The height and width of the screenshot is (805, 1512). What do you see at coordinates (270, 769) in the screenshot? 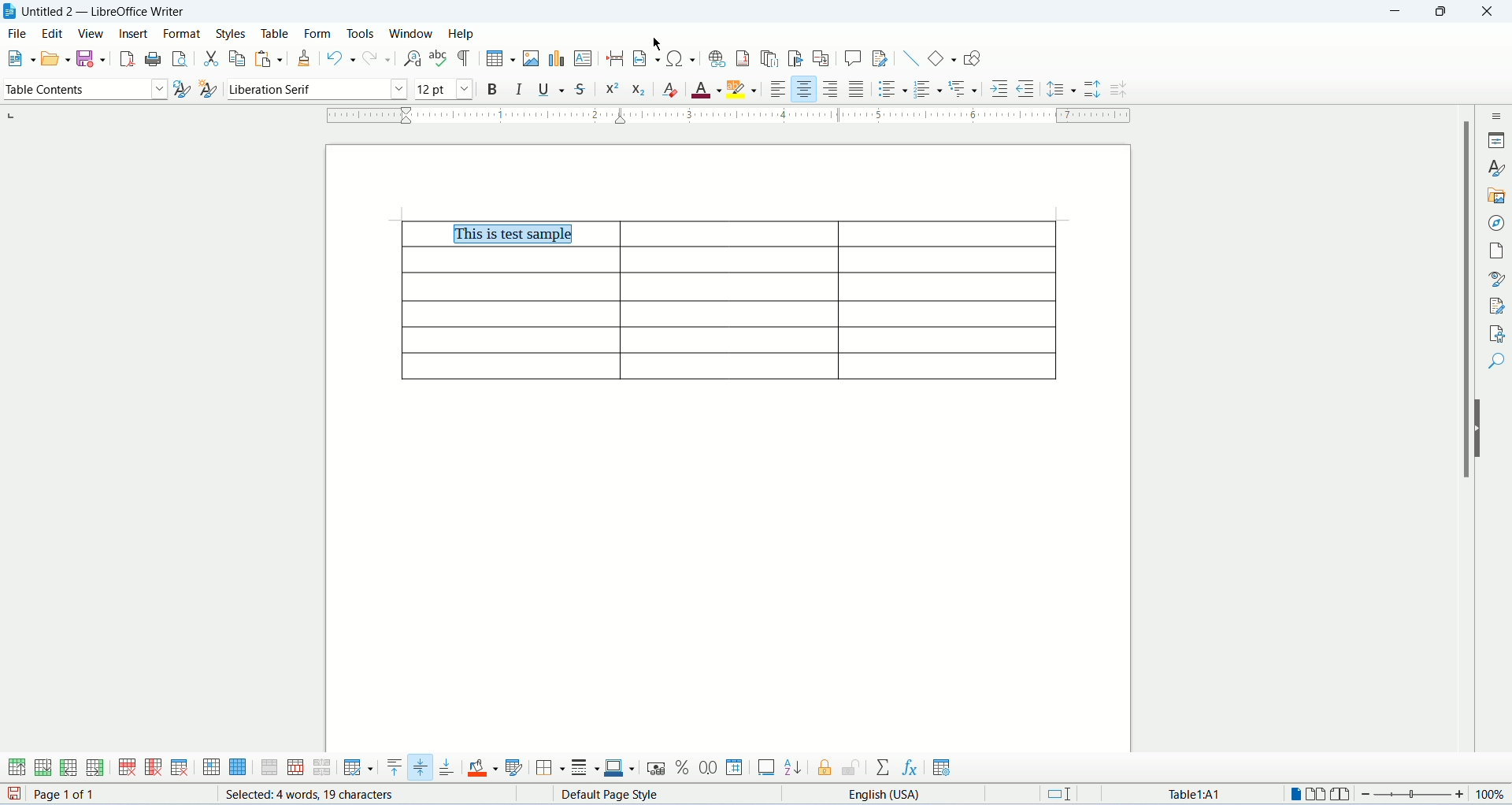
I see `merge cells` at bounding box center [270, 769].